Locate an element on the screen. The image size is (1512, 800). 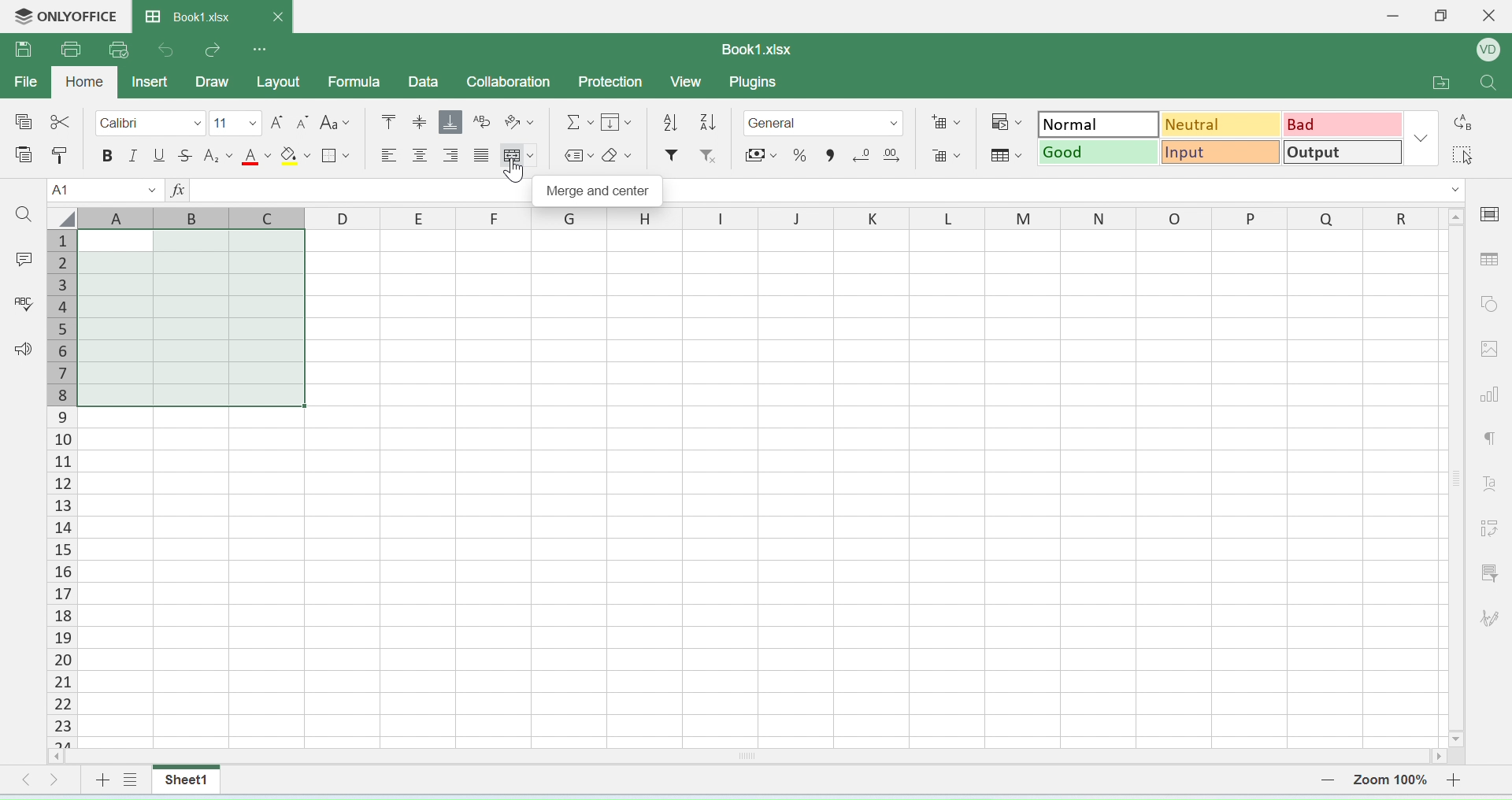
table is located at coordinates (1492, 264).